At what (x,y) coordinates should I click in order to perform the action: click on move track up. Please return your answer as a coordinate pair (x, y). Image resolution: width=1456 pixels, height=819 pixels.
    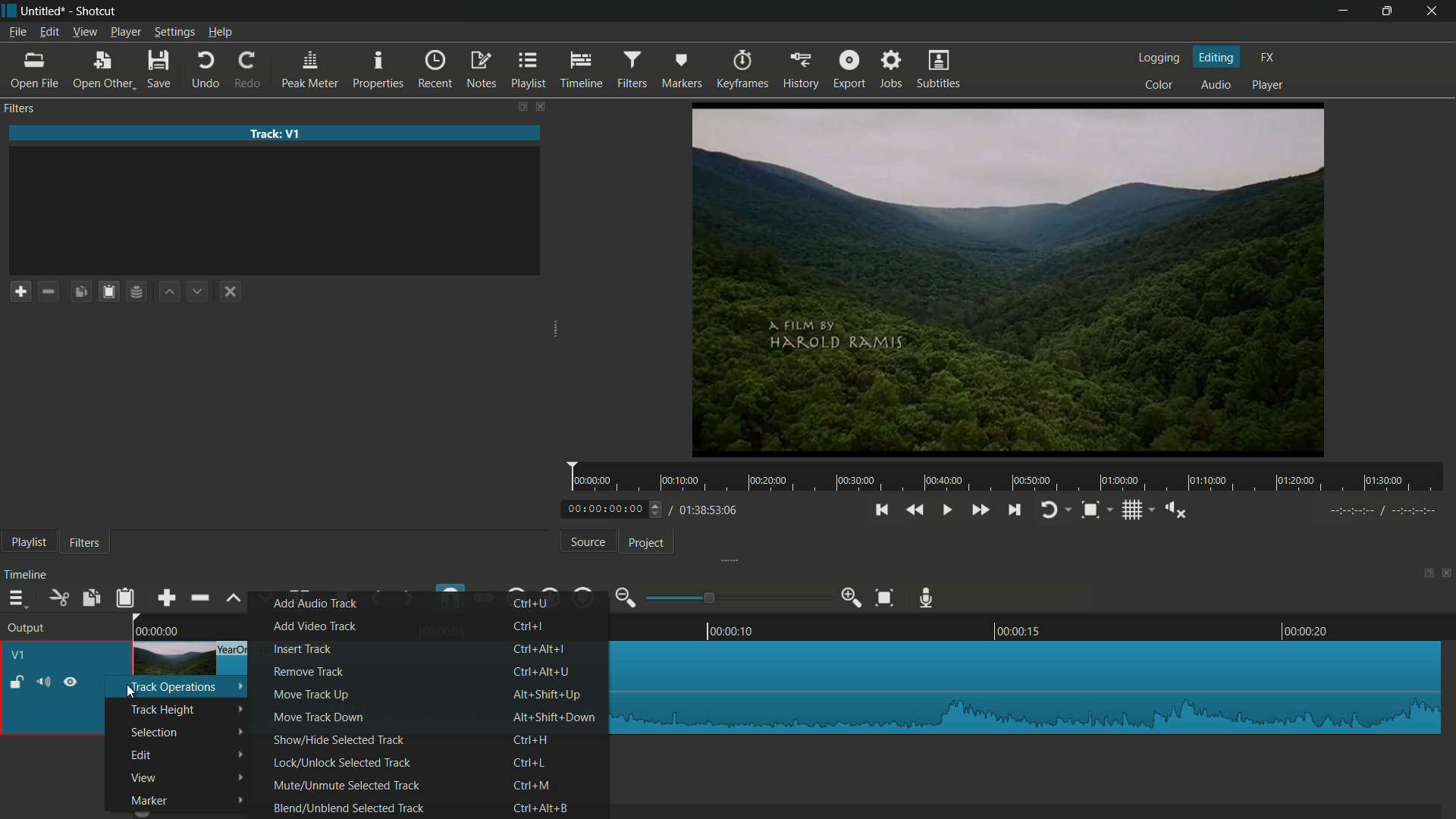
    Looking at the image, I should click on (312, 695).